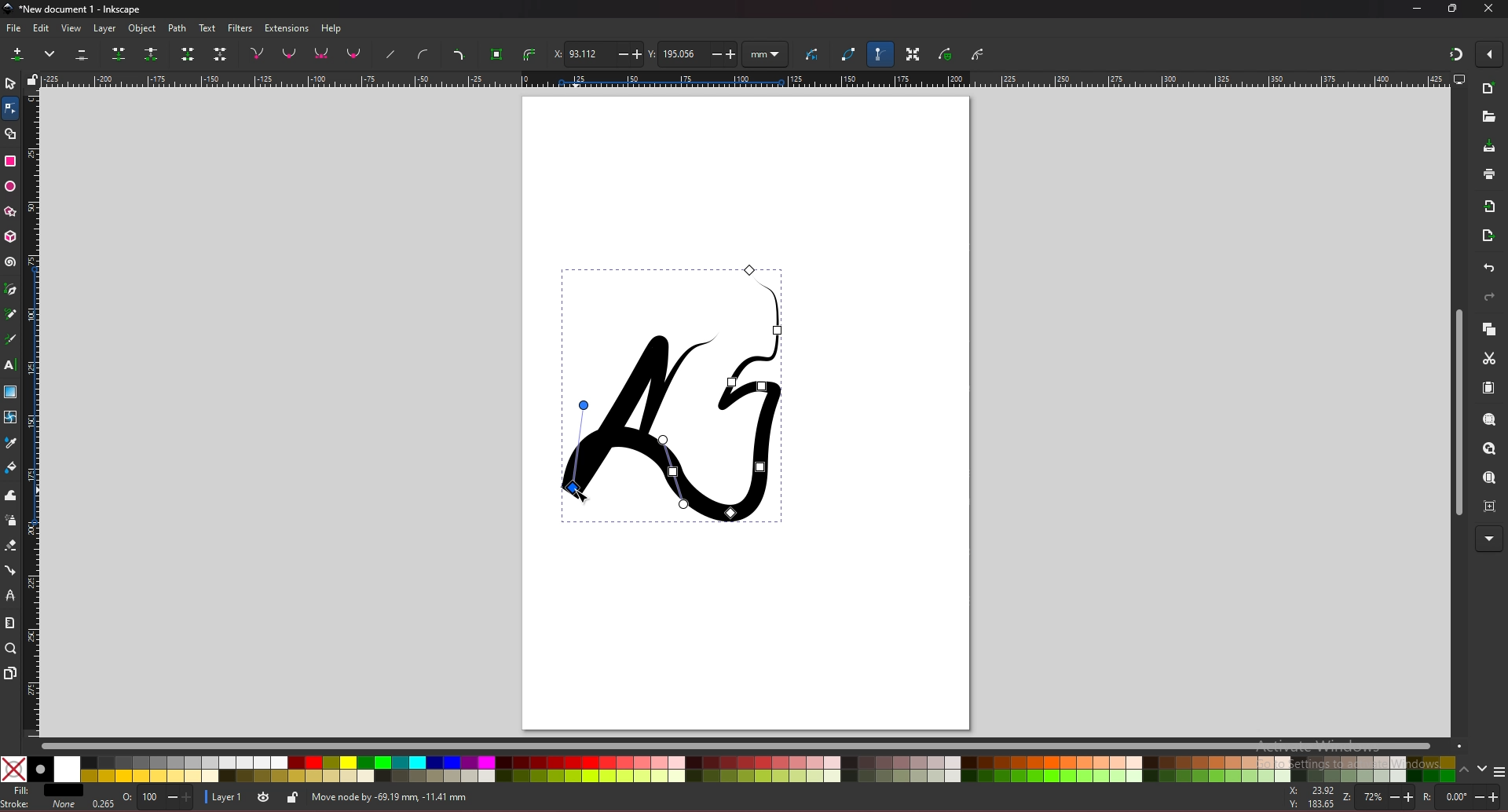 This screenshot has width=1508, height=812. What do you see at coordinates (11, 313) in the screenshot?
I see `pencil` at bounding box center [11, 313].